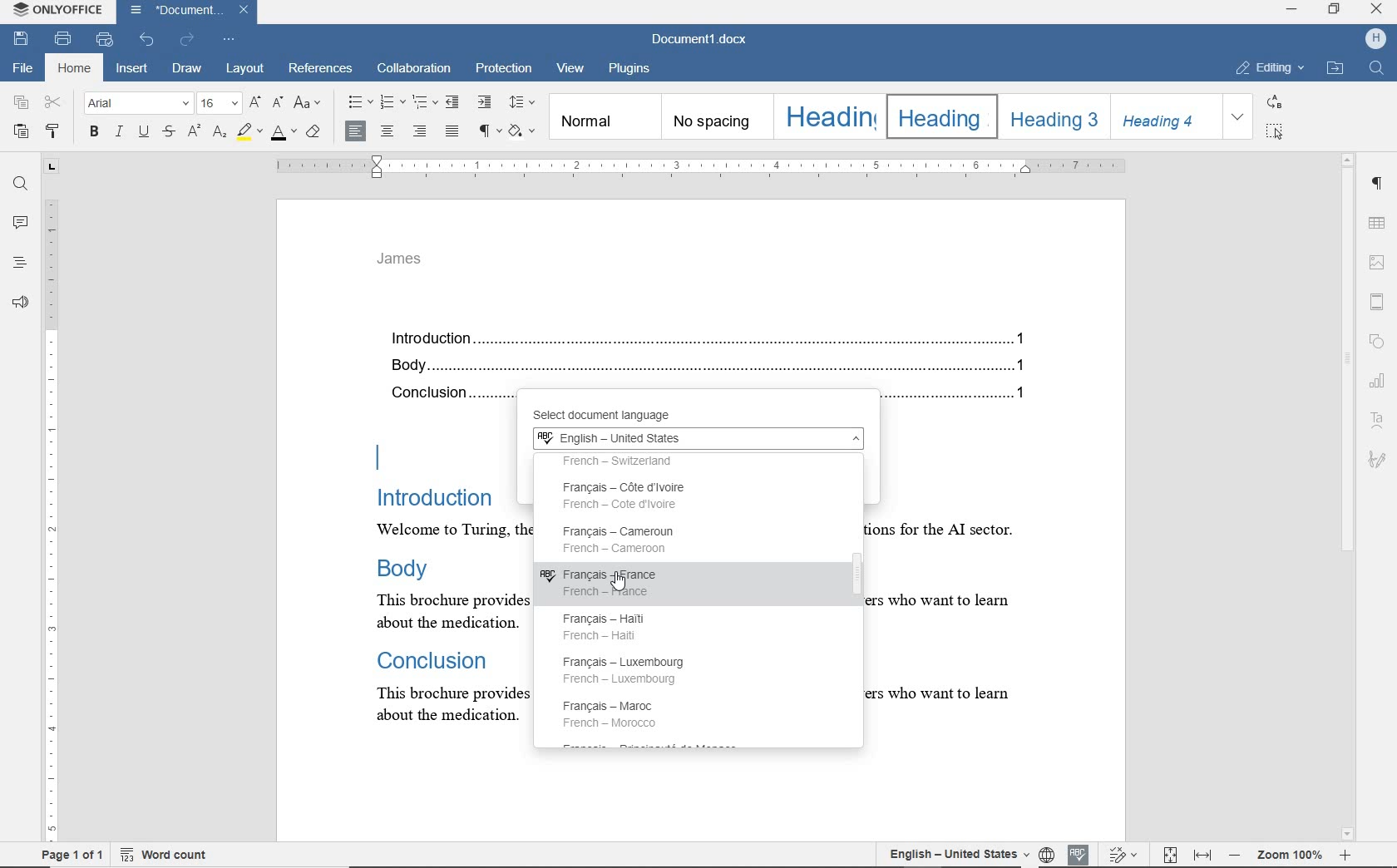 This screenshot has width=1397, height=868. I want to click on bullets, so click(359, 102).